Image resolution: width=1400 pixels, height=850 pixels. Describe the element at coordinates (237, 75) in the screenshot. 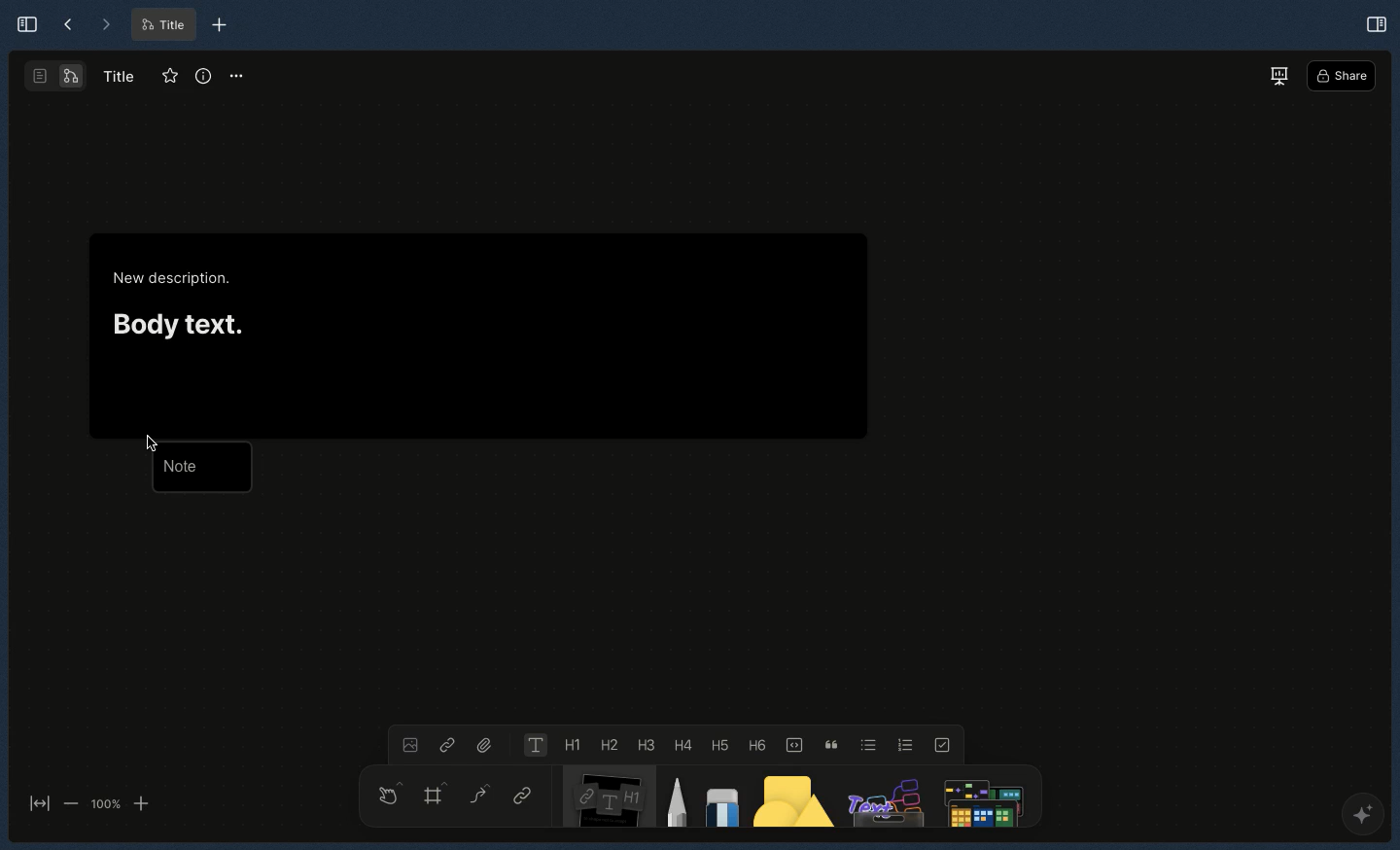

I see `Options` at that location.